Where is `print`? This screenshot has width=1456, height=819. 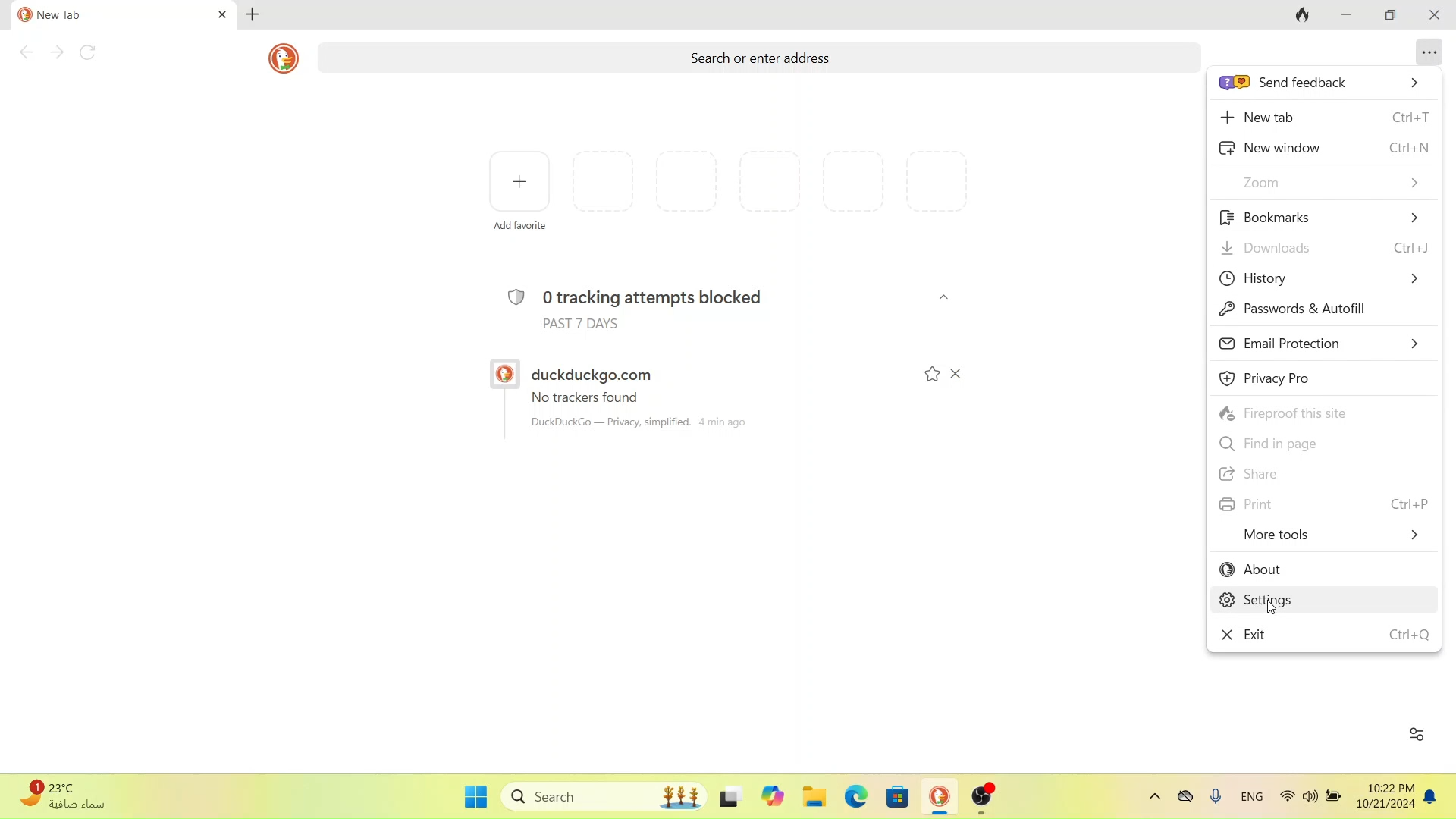 print is located at coordinates (1320, 504).